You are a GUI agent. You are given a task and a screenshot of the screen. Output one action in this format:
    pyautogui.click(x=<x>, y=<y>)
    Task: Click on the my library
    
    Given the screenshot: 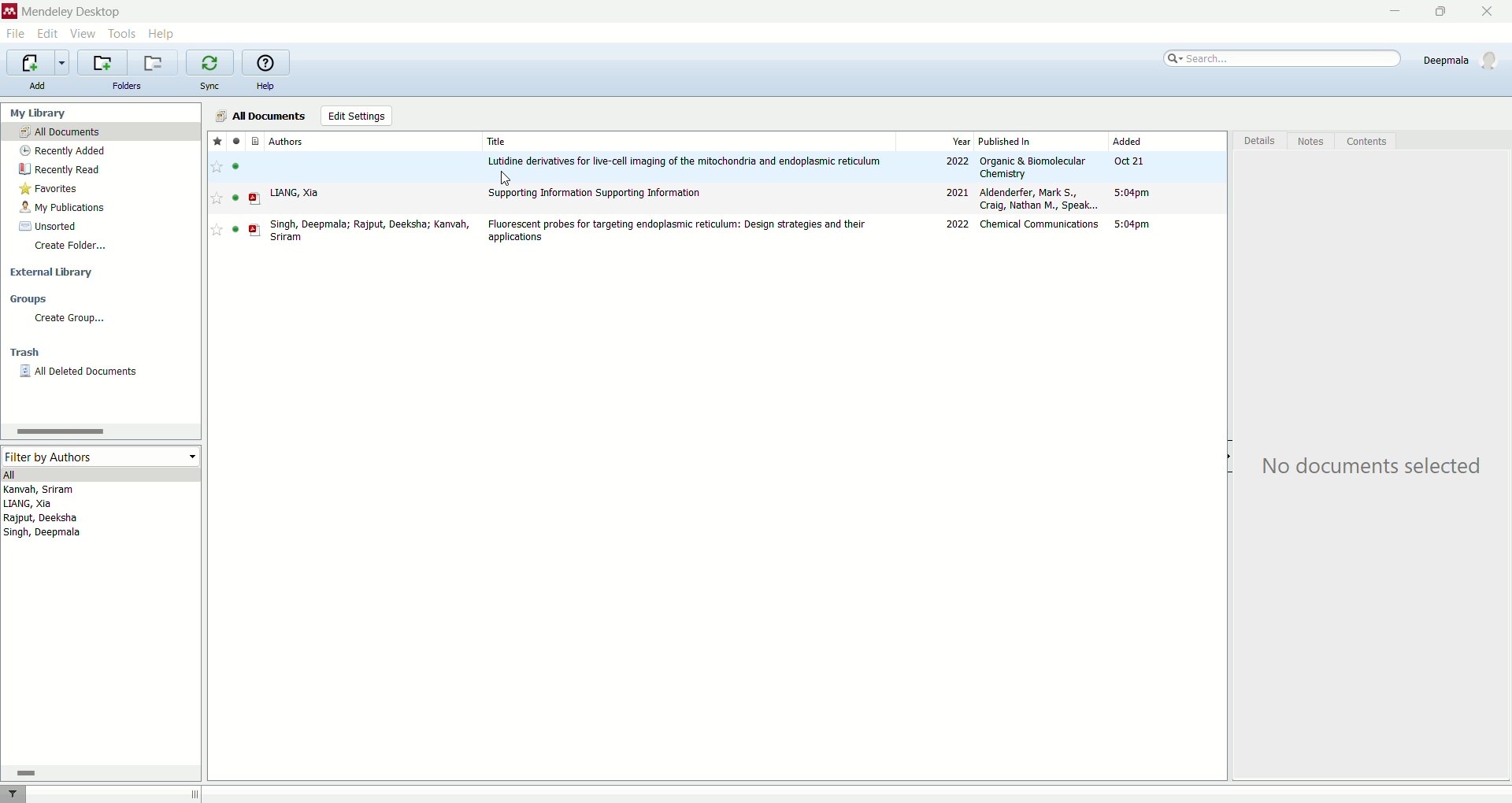 What is the action you would take?
    pyautogui.click(x=42, y=114)
    